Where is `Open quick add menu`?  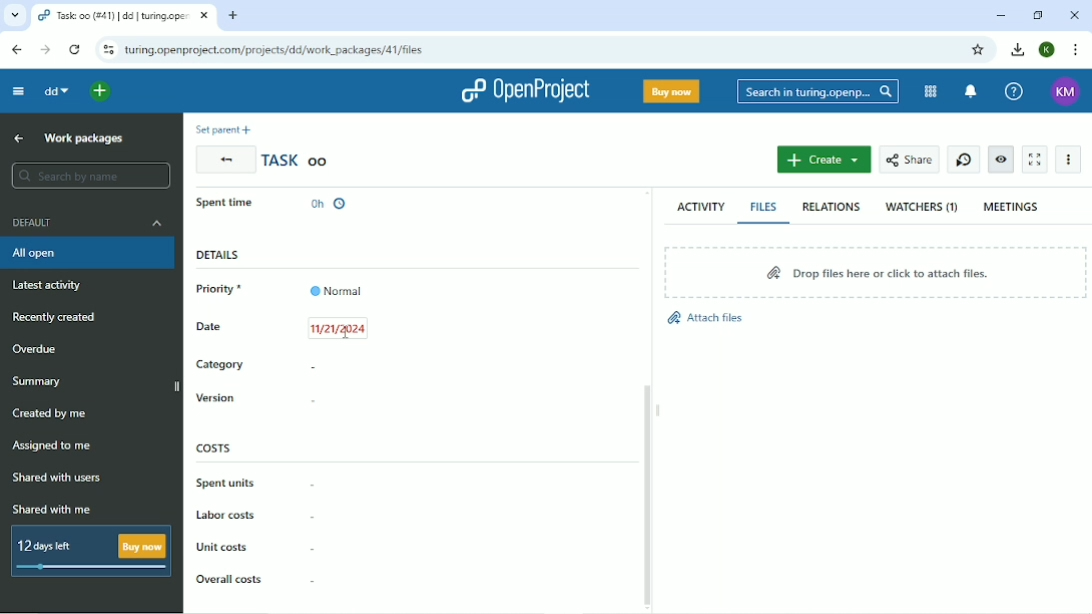 Open quick add menu is located at coordinates (101, 91).